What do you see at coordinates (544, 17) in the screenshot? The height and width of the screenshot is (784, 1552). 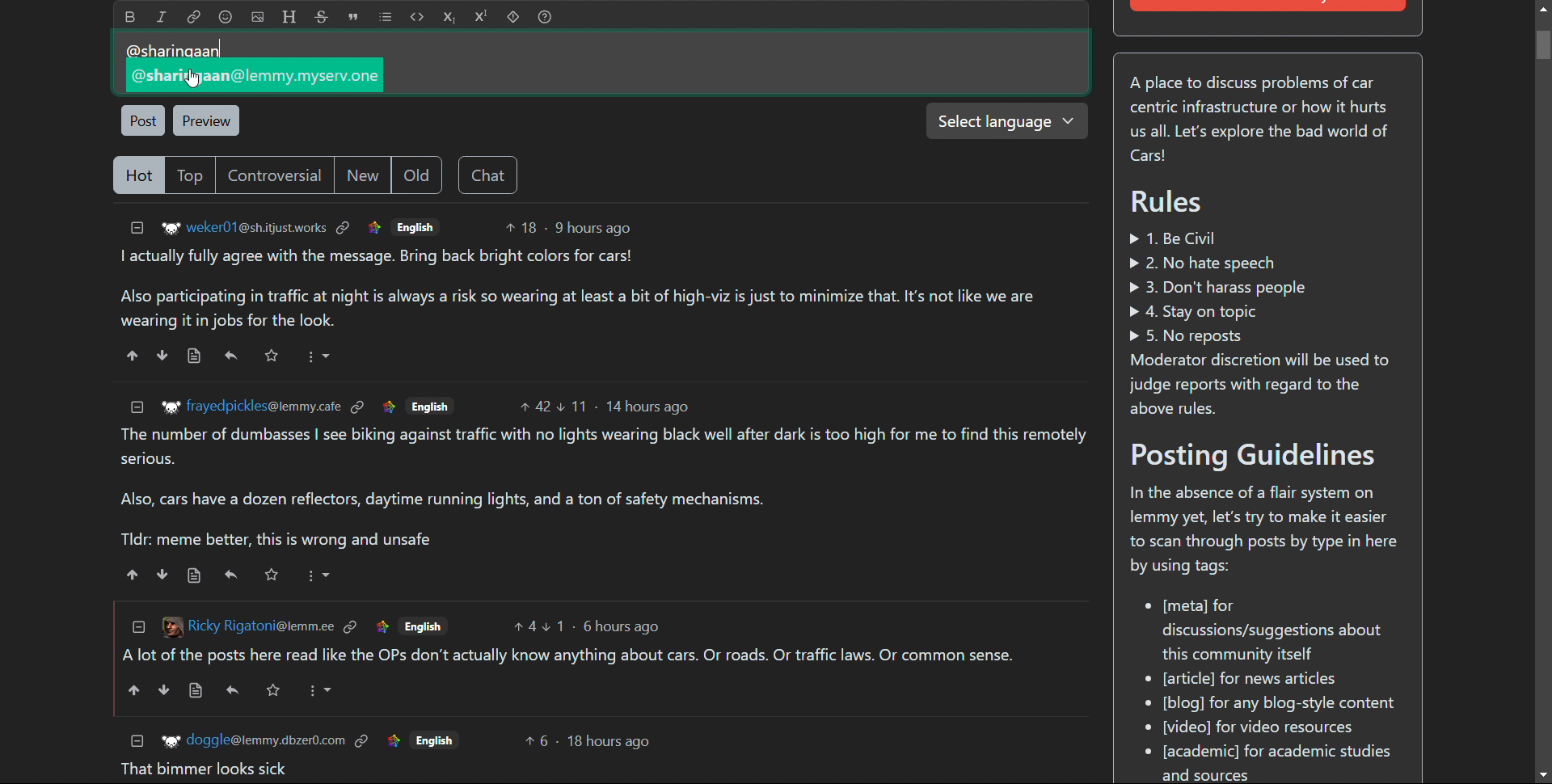 I see `help` at bounding box center [544, 17].